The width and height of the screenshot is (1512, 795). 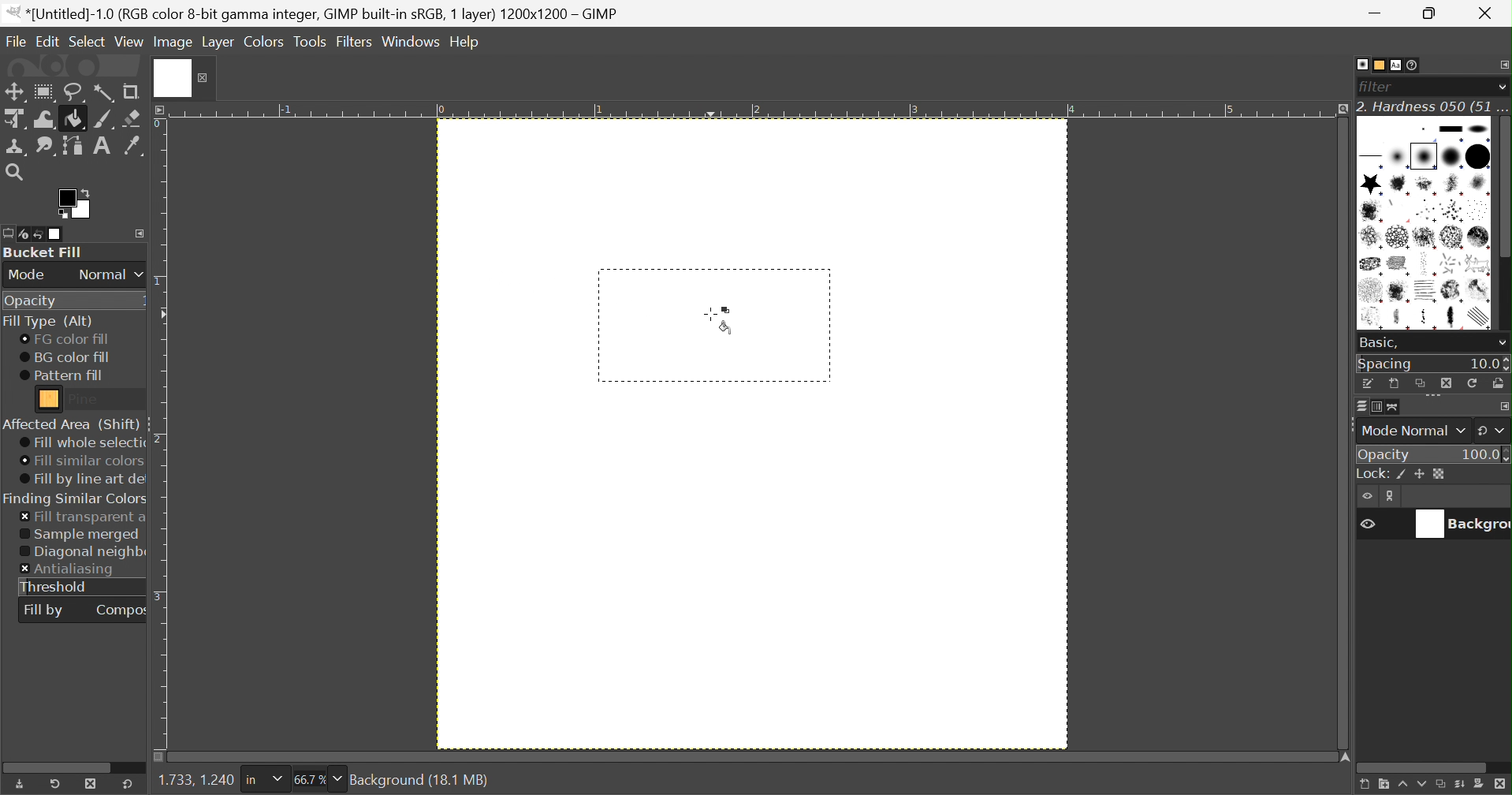 I want to click on Acrylic 05, so click(x=1371, y=211).